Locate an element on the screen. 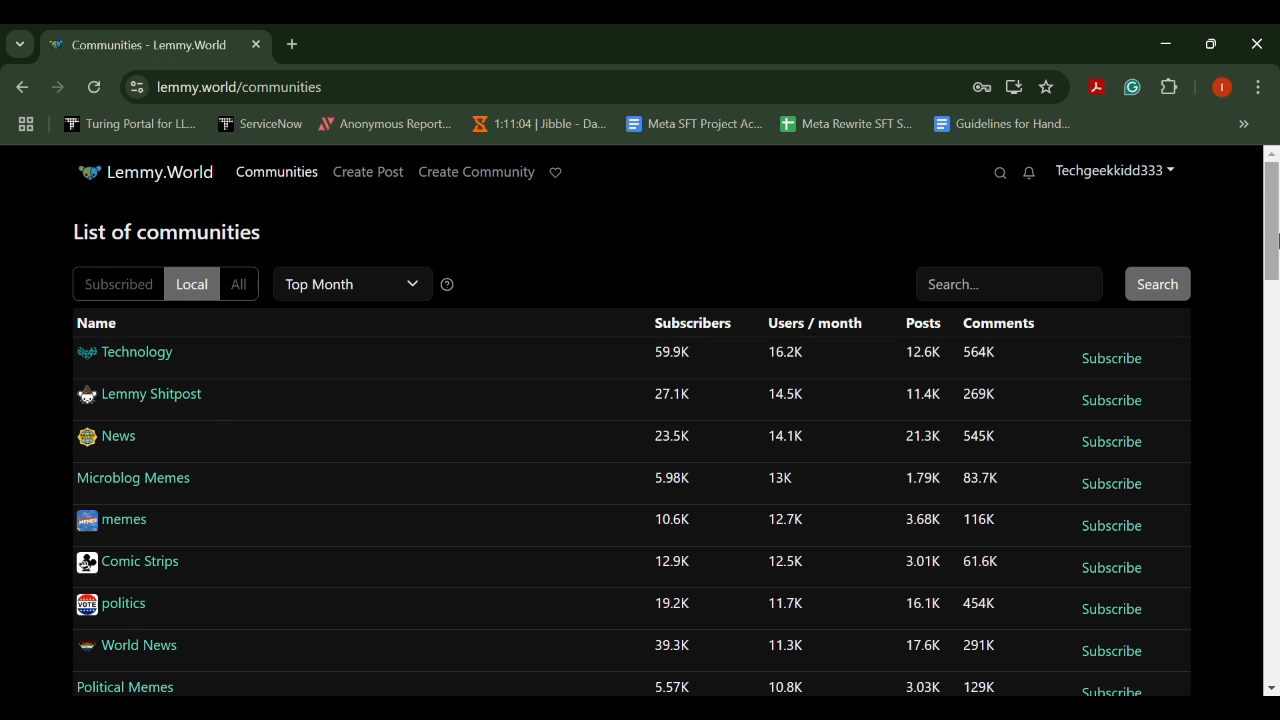 This screenshot has width=1280, height=720. Comments is located at coordinates (998, 323).